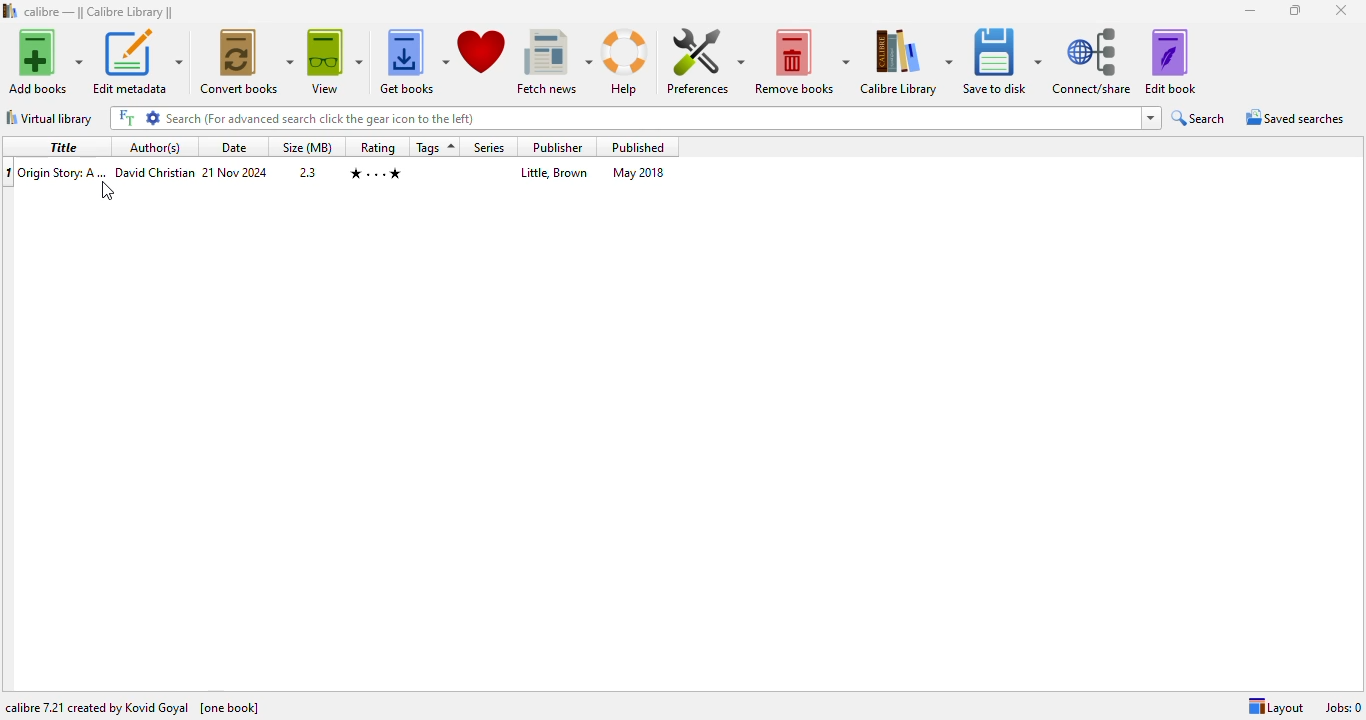  Describe the element at coordinates (100, 11) in the screenshot. I see `calibre library` at that location.